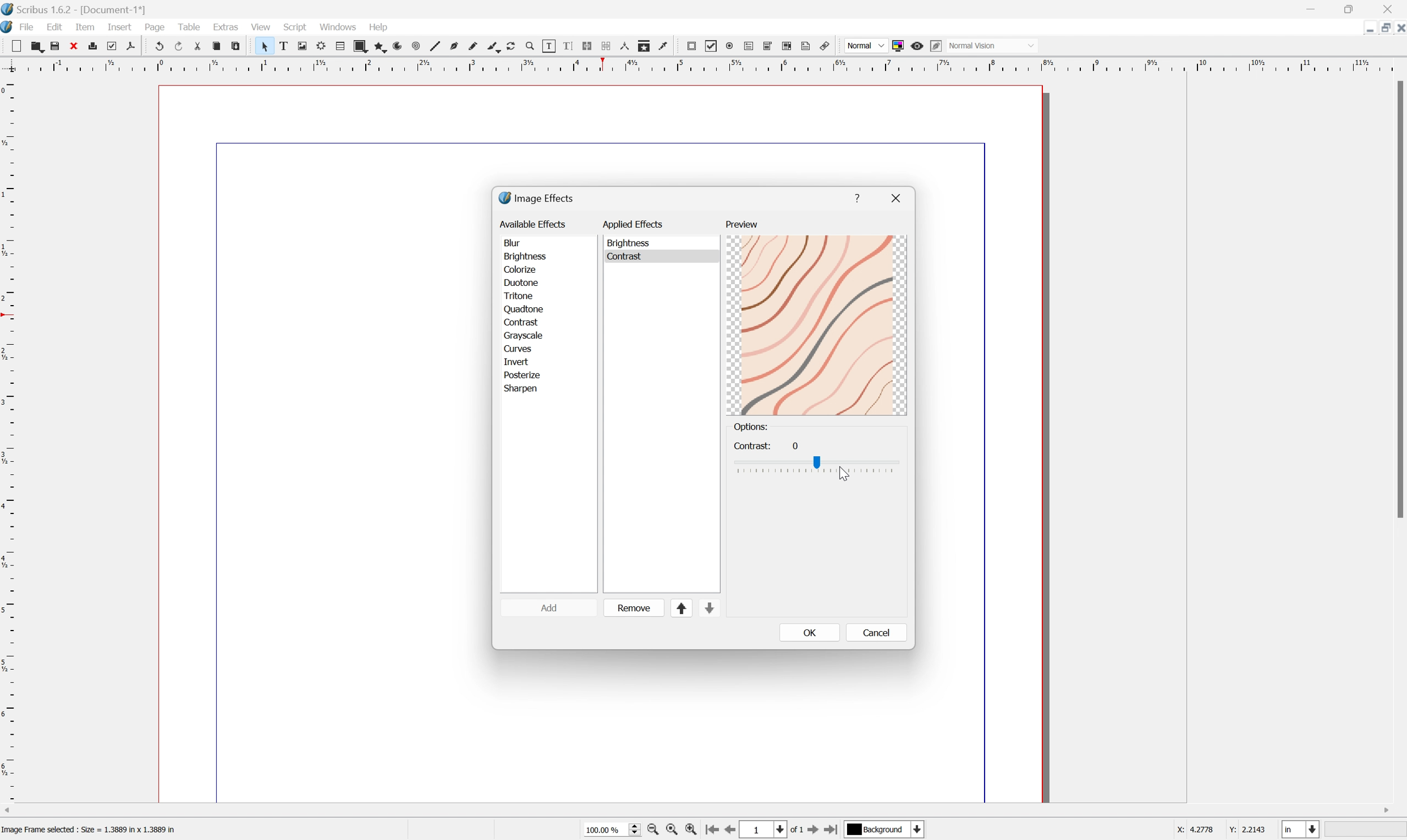  I want to click on PDF radio button, so click(729, 46).